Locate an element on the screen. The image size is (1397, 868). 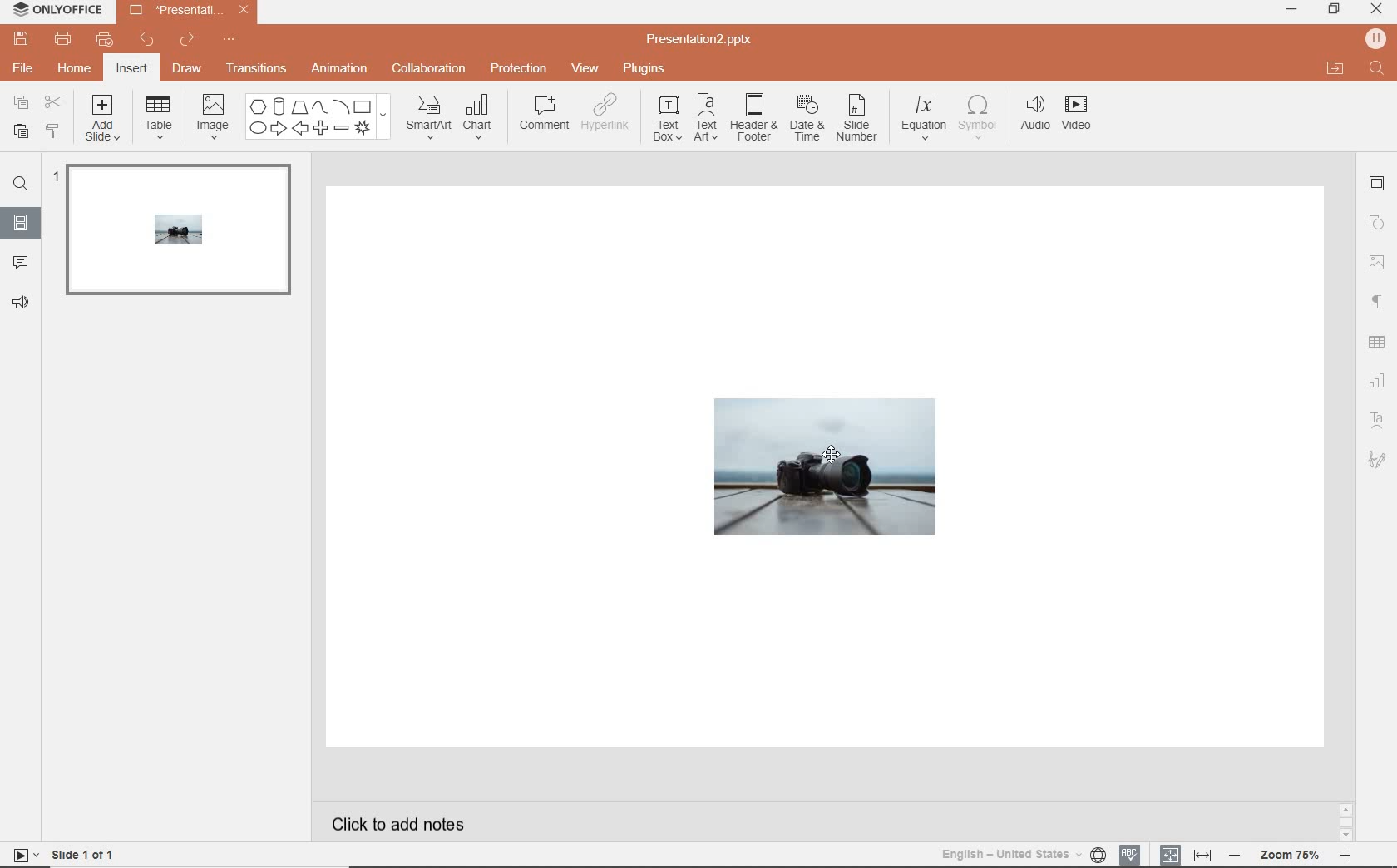
Presentation2.pptx is located at coordinates (714, 37).